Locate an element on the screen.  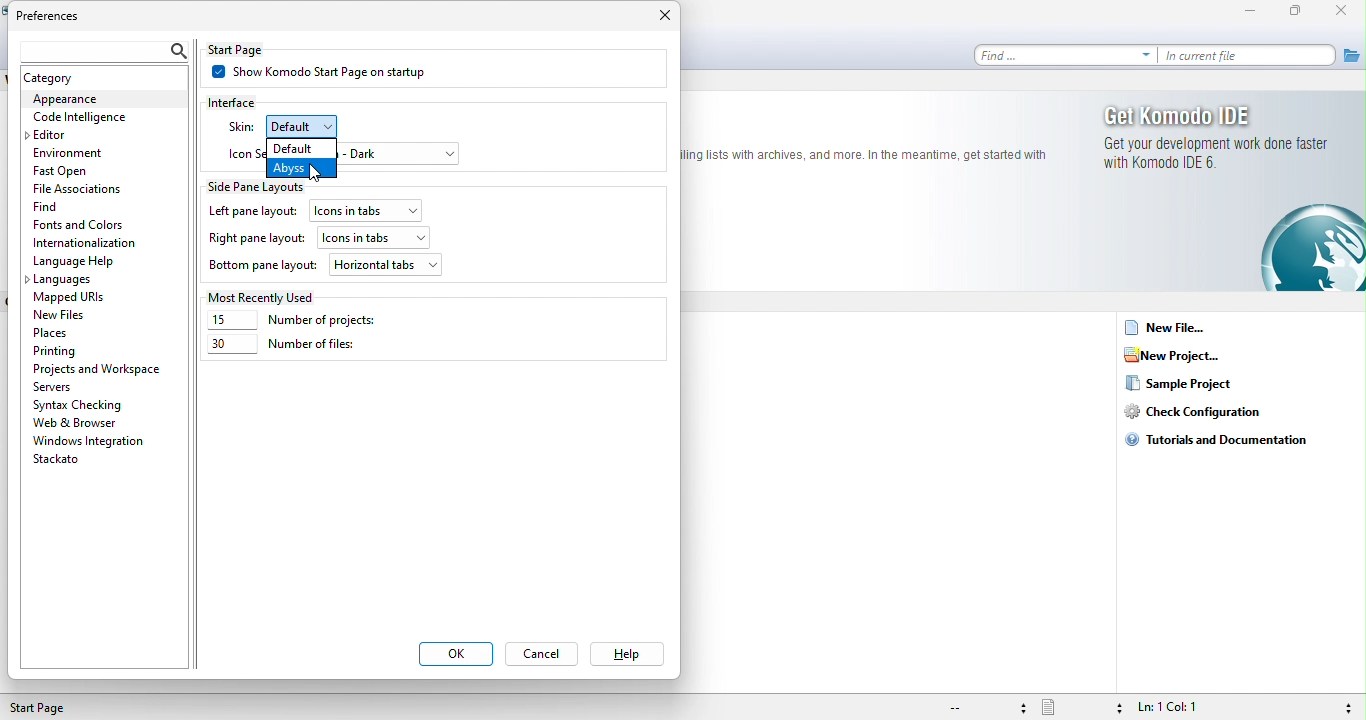
interface is located at coordinates (245, 101).